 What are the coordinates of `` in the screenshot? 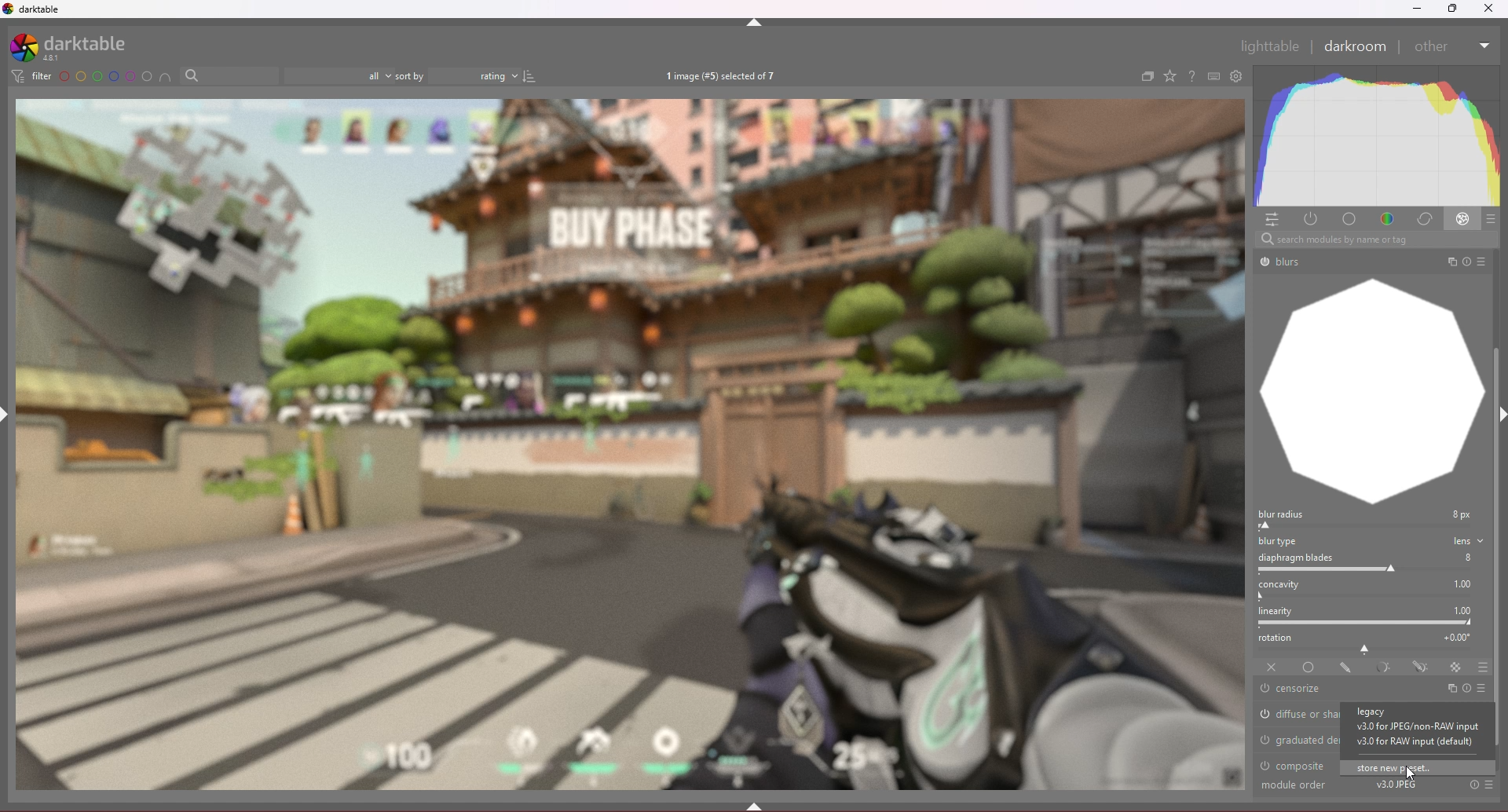 It's located at (1452, 262).